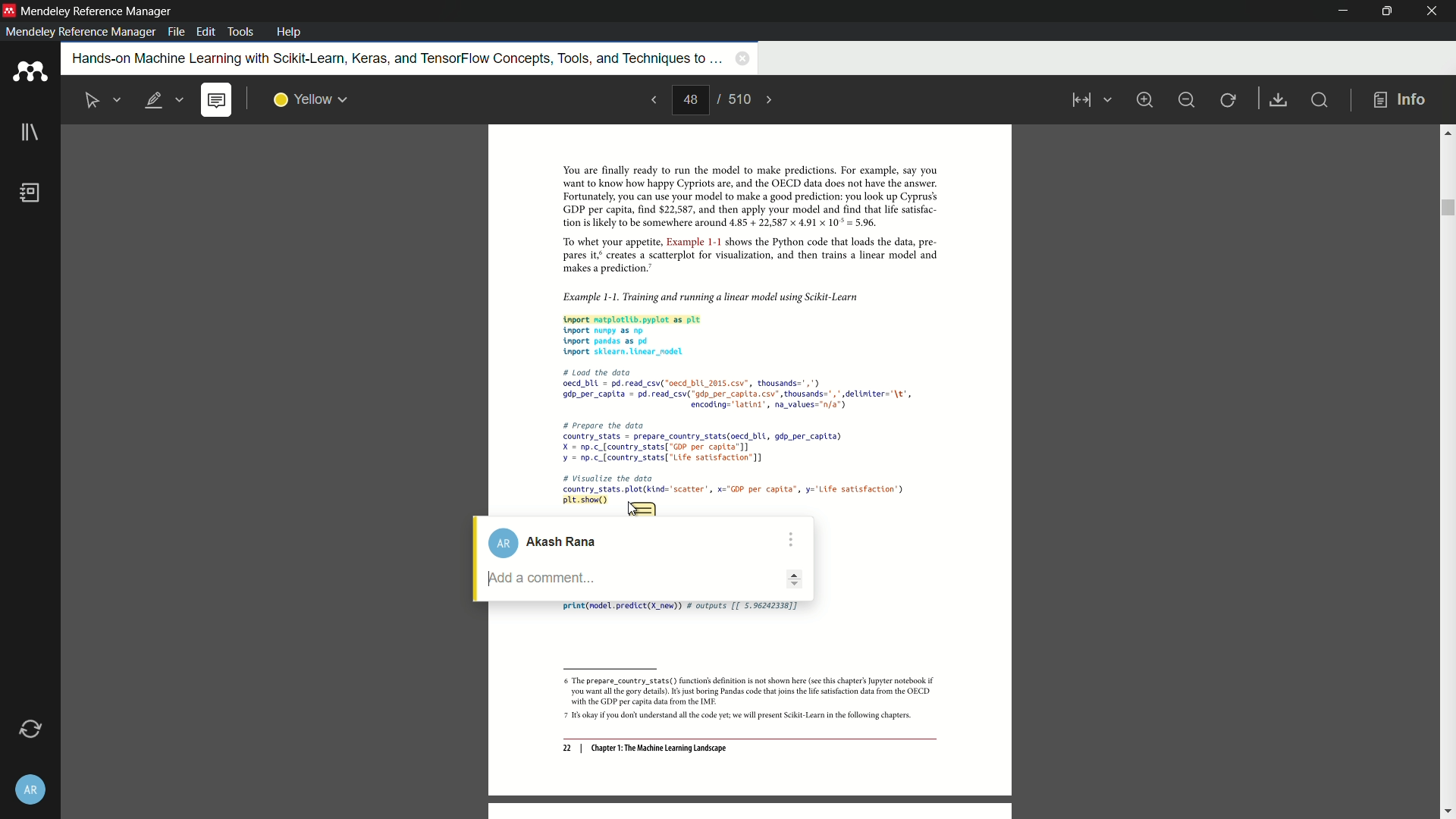  I want to click on mendeley reference manager, so click(80, 32).